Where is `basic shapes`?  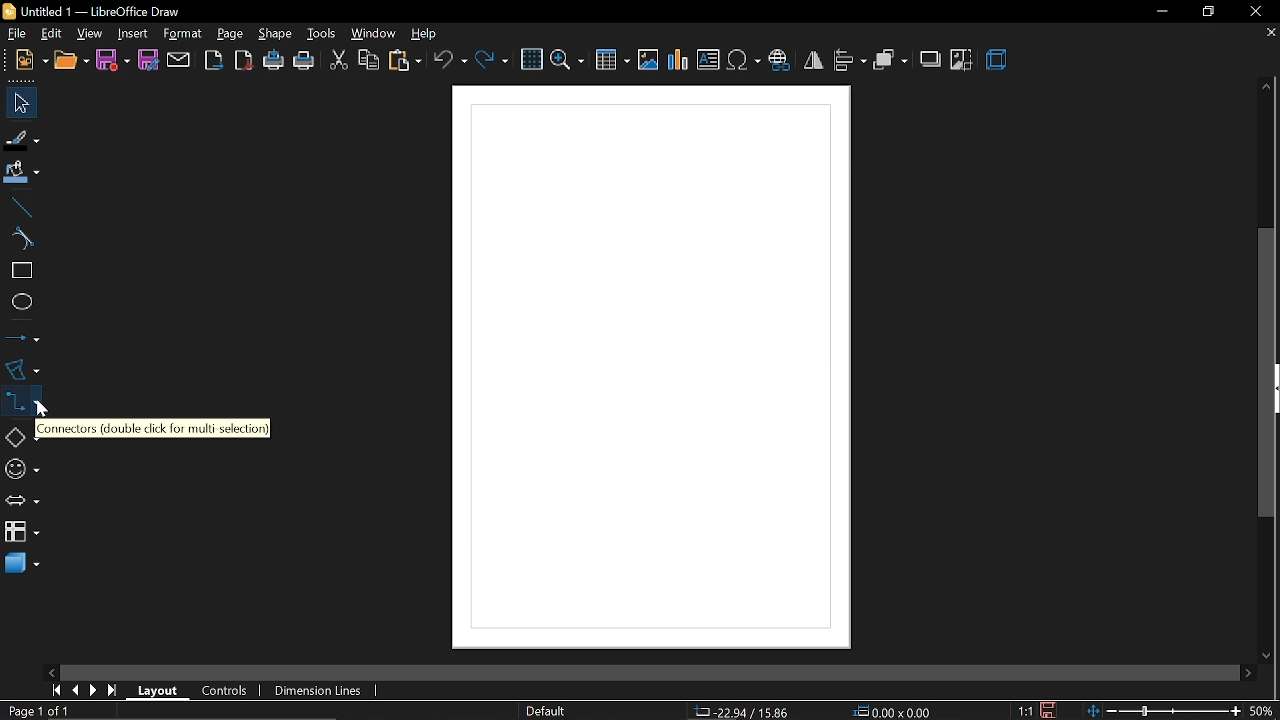 basic shapes is located at coordinates (18, 434).